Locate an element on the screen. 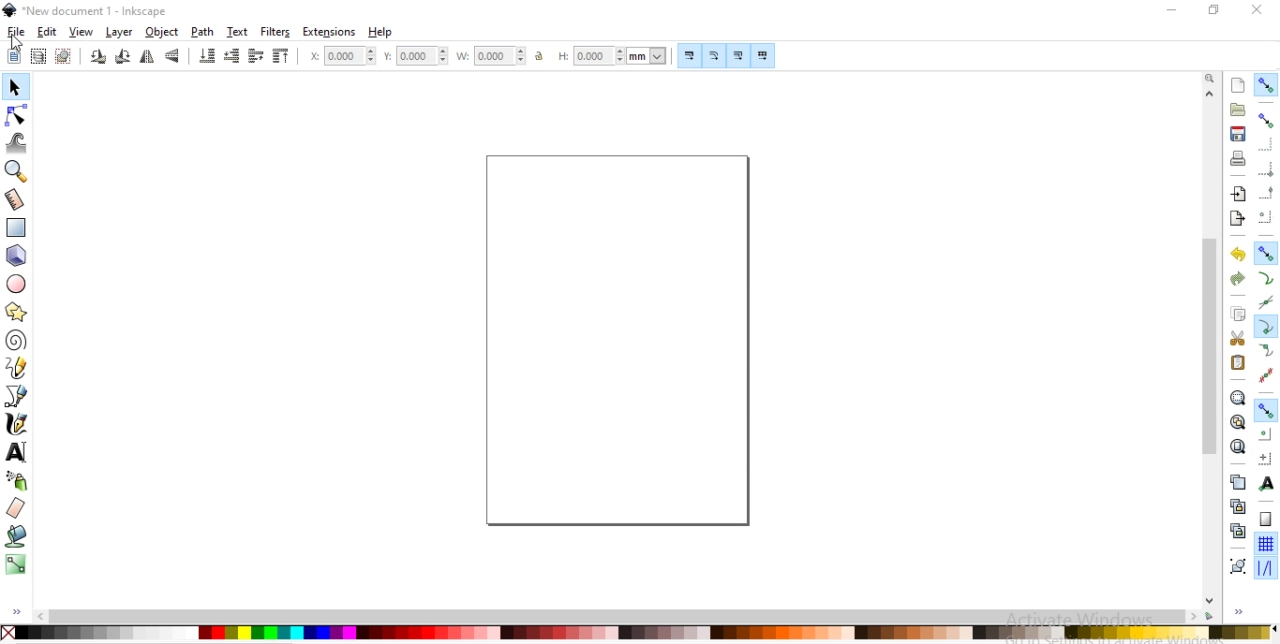  cut a selected clone is located at coordinates (1236, 533).